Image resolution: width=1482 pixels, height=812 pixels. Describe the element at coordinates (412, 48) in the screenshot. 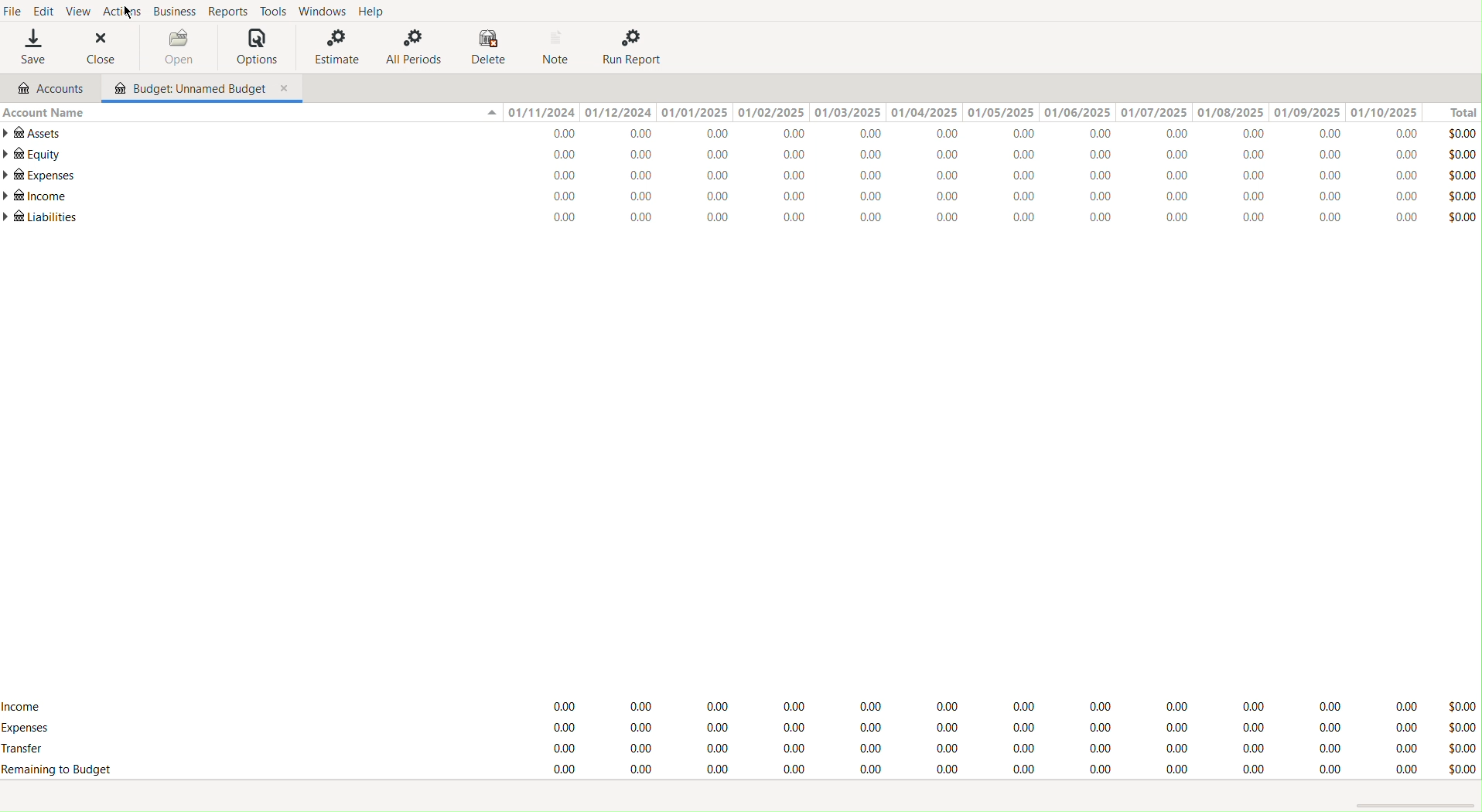

I see `All Periods` at that location.